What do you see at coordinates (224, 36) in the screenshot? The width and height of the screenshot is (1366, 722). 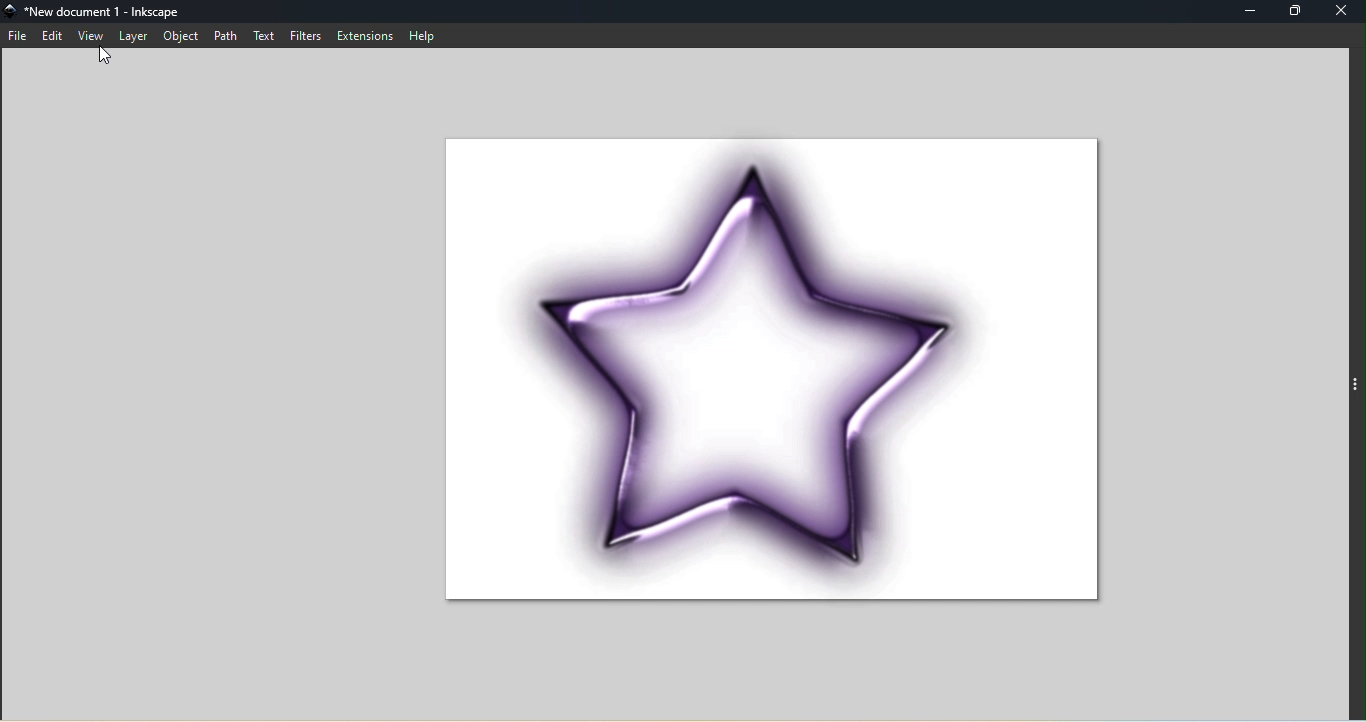 I see `Path` at bounding box center [224, 36].